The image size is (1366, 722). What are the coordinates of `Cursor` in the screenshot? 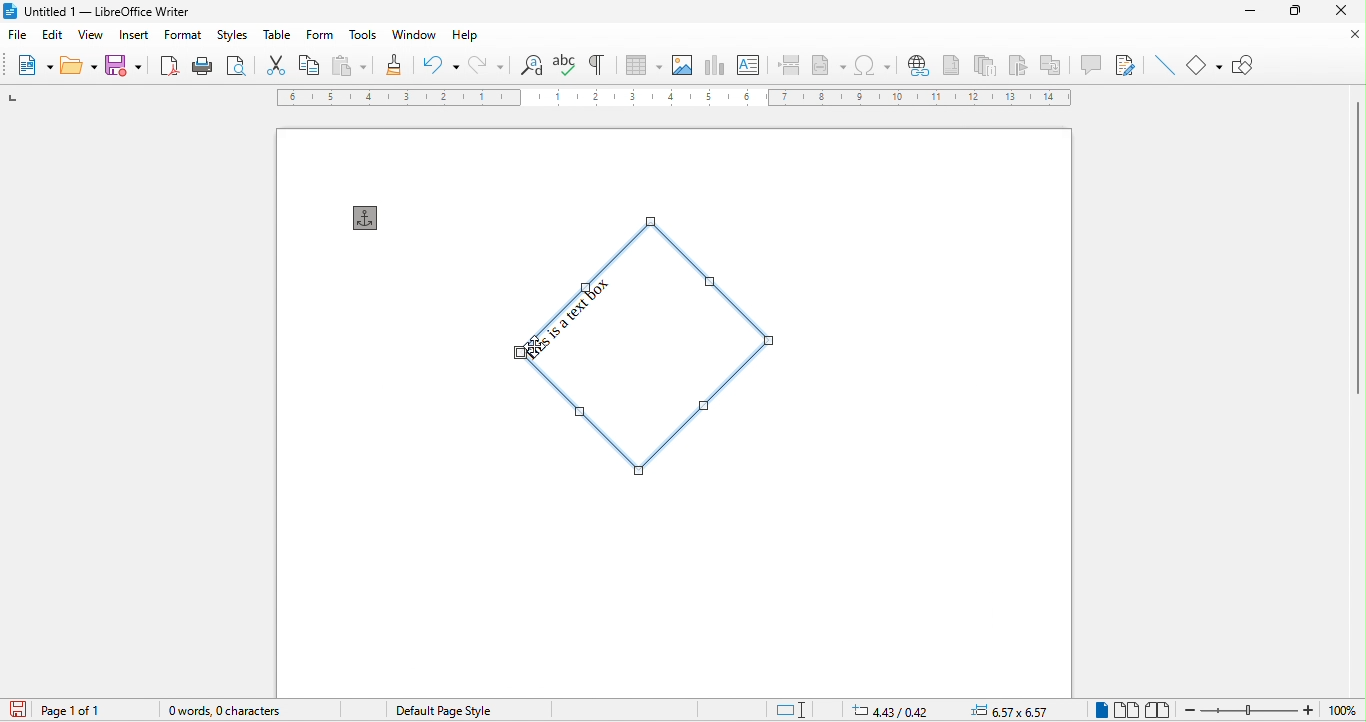 It's located at (535, 349).